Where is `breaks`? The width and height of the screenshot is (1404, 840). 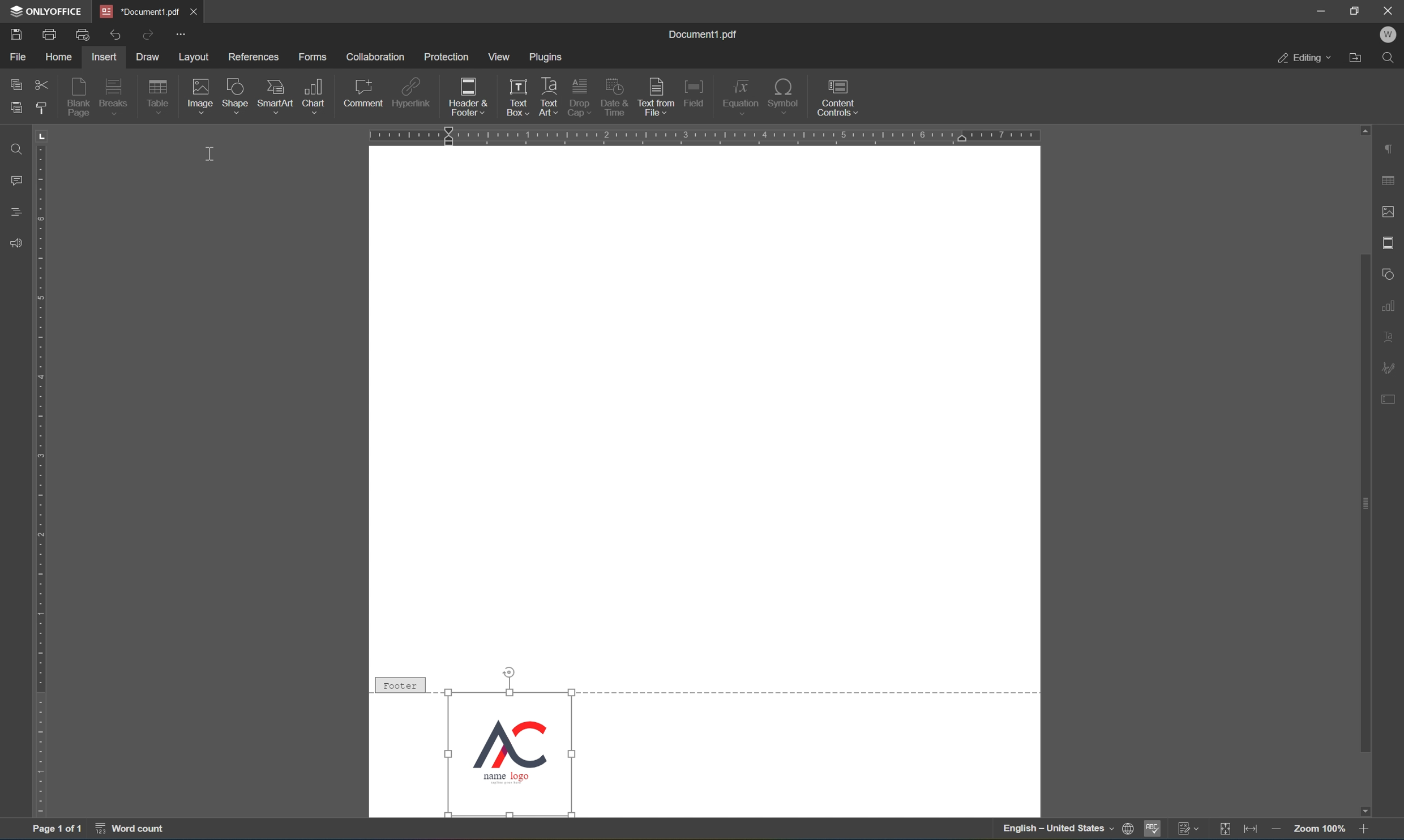
breaks is located at coordinates (115, 97).